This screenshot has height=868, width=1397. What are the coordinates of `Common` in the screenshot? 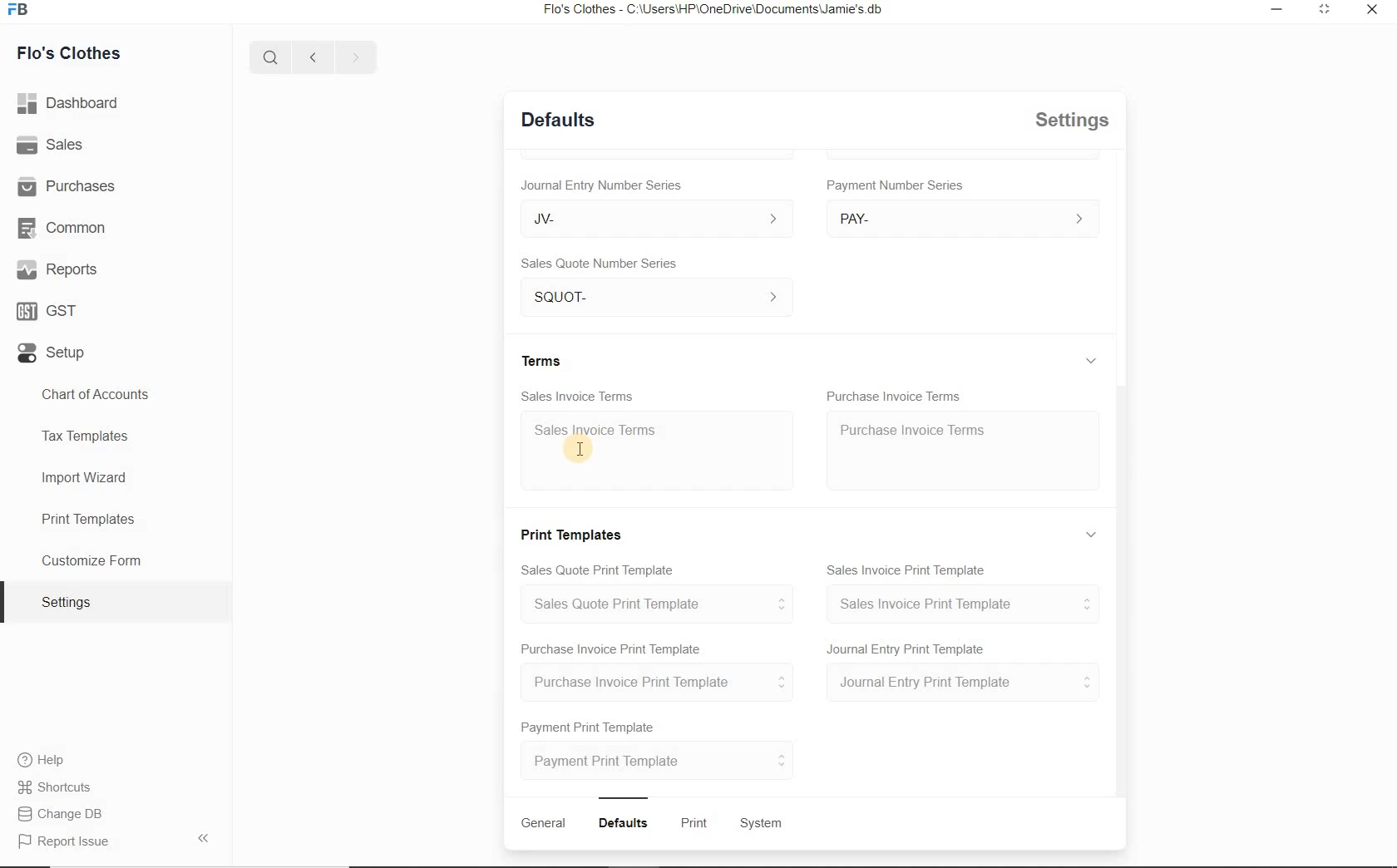 It's located at (66, 229).